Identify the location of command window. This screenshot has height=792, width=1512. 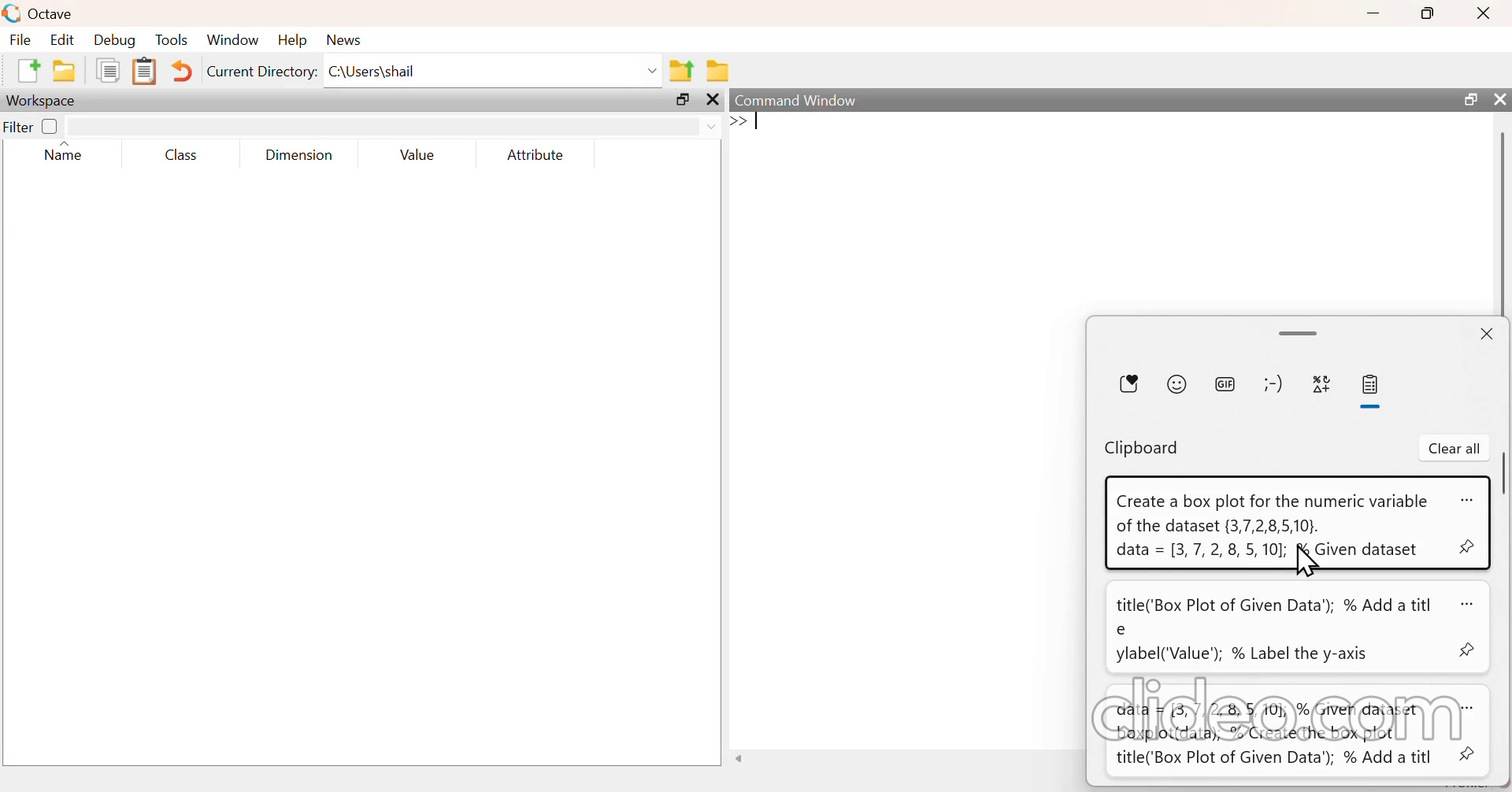
(799, 101).